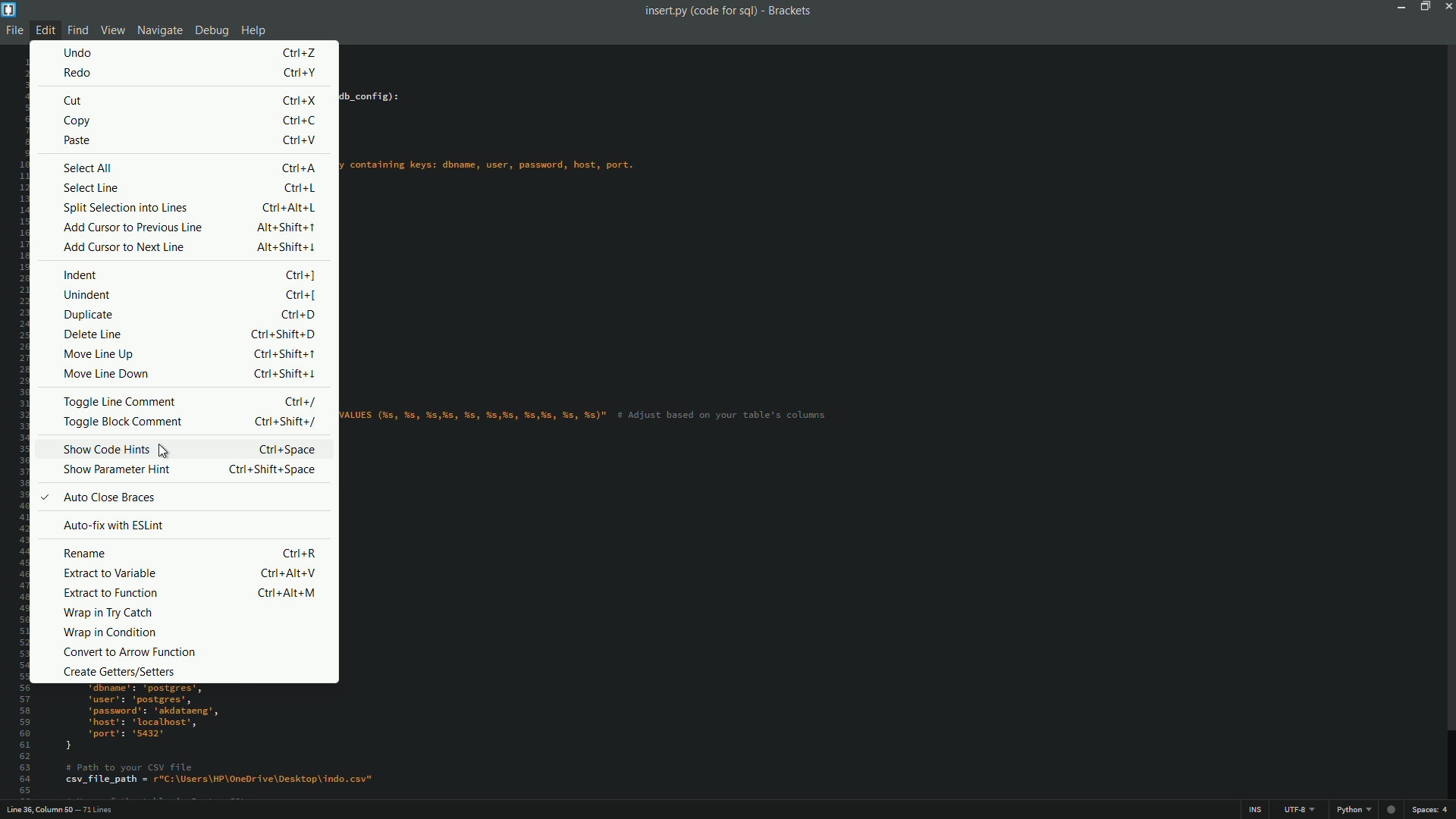 The image size is (1456, 819). I want to click on line numbers, so click(19, 426).